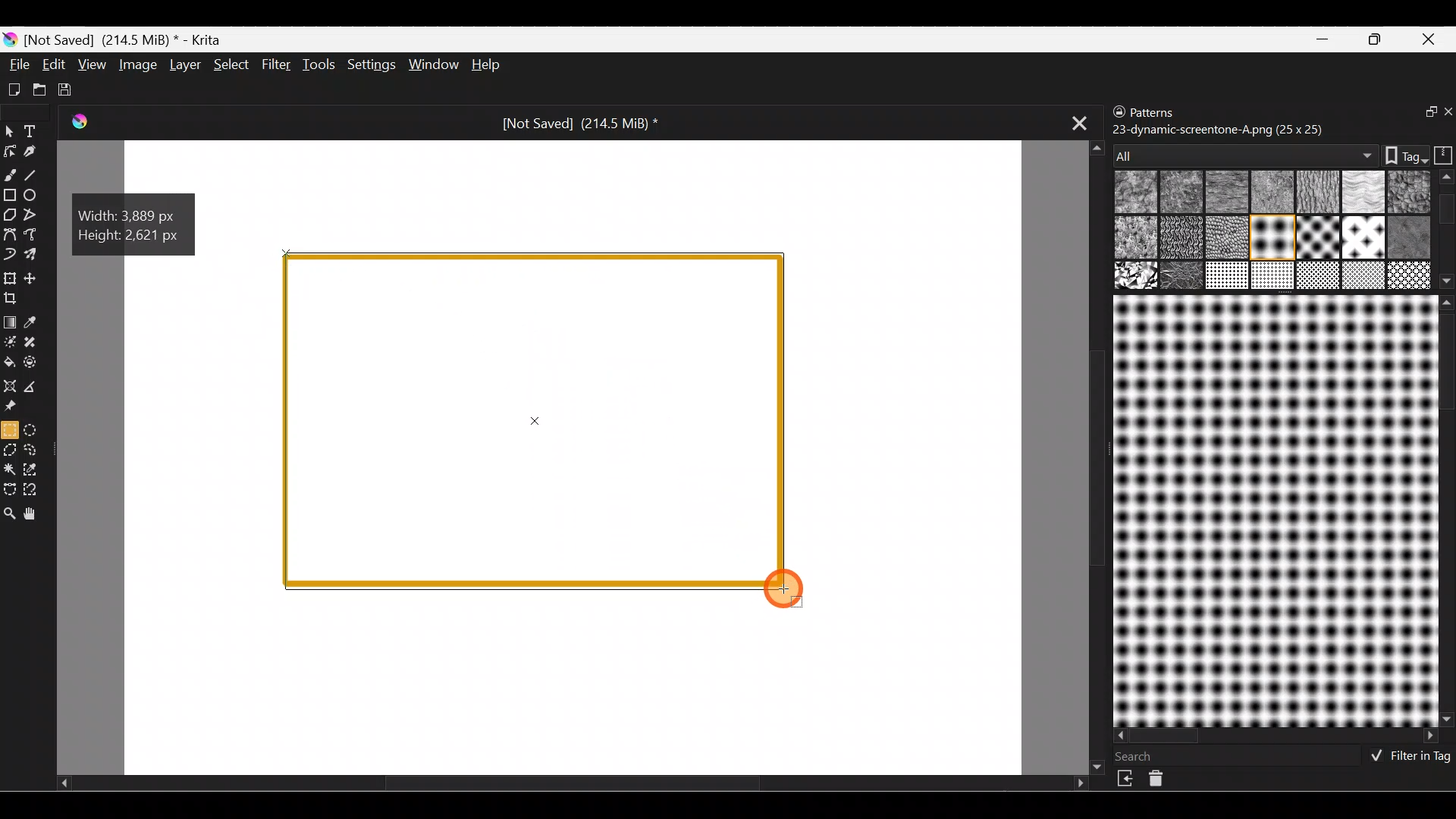 The image size is (1456, 819). Describe the element at coordinates (41, 490) in the screenshot. I see `Magnetic curve selection tool` at that location.